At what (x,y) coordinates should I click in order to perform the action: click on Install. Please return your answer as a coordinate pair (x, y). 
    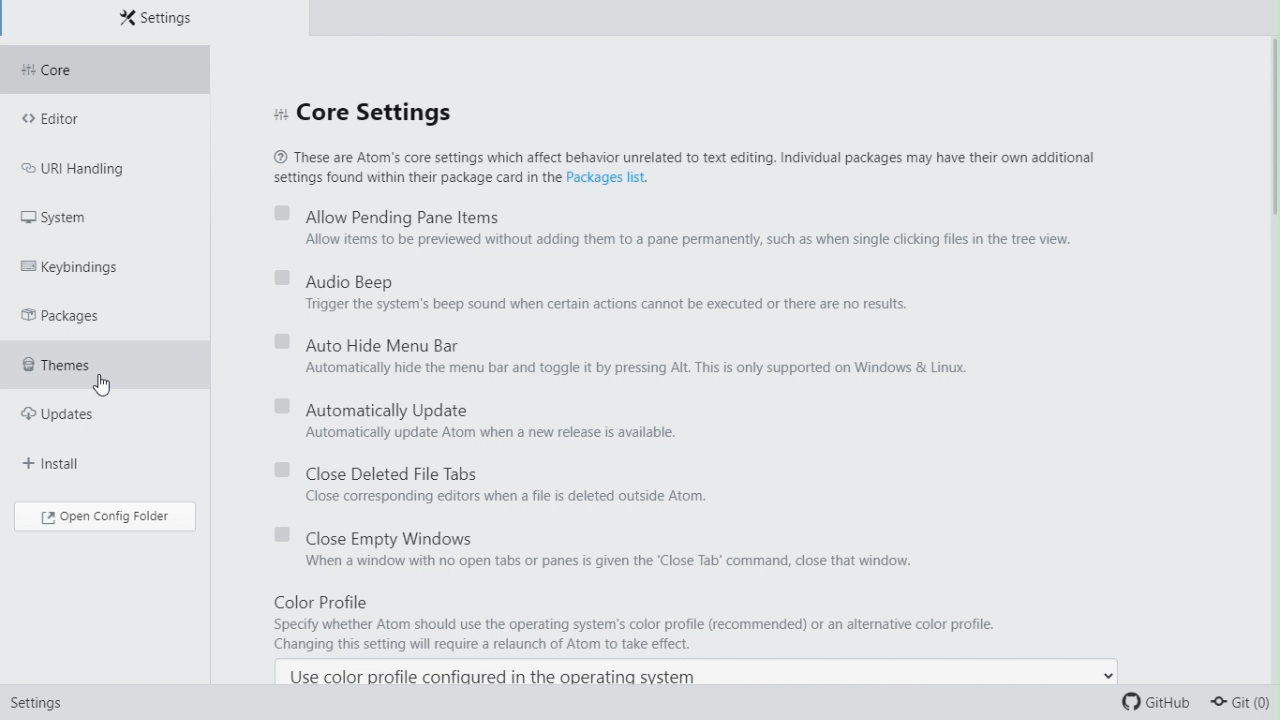
    Looking at the image, I should click on (77, 454).